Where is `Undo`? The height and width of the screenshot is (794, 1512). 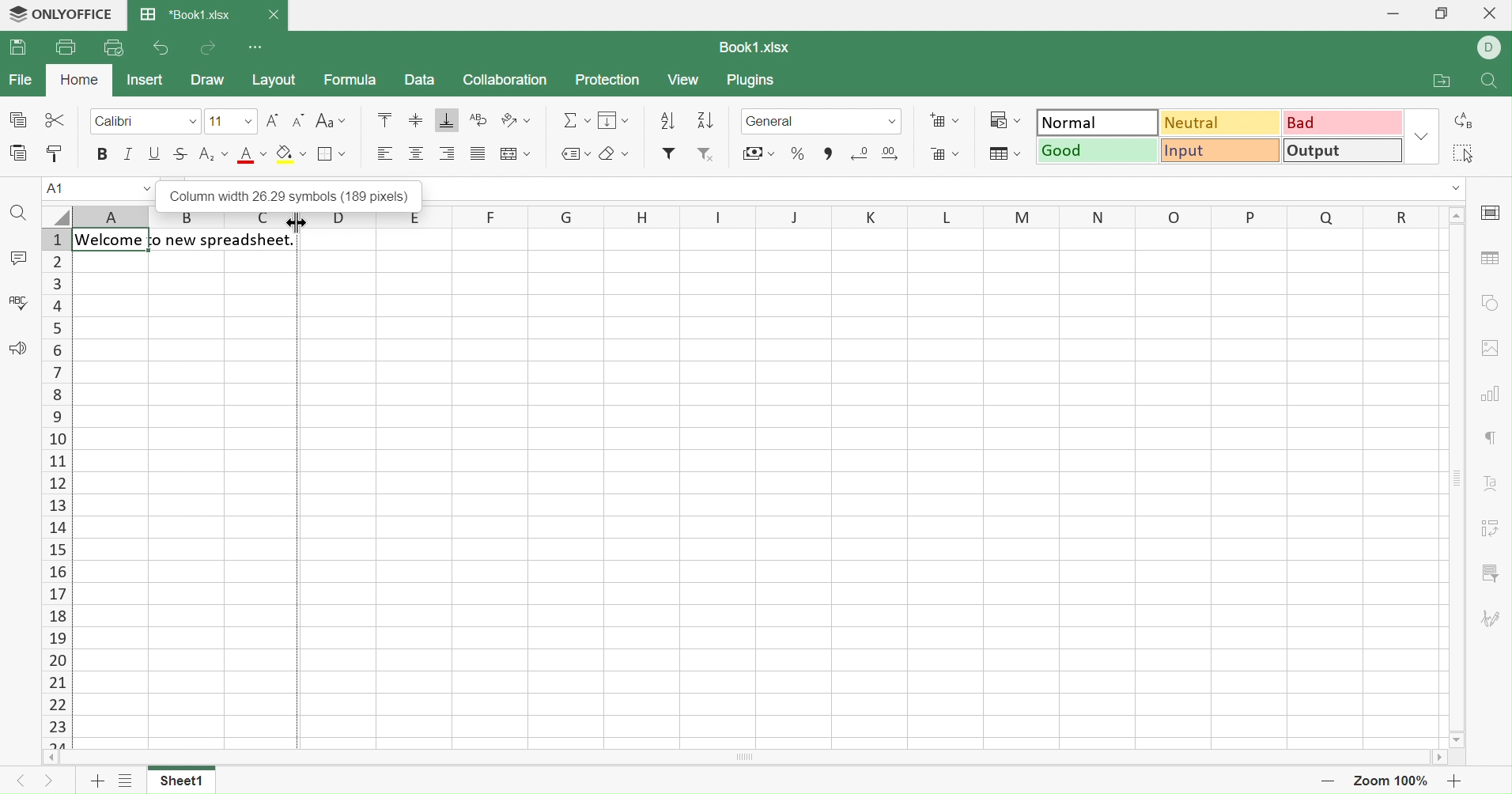
Undo is located at coordinates (160, 48).